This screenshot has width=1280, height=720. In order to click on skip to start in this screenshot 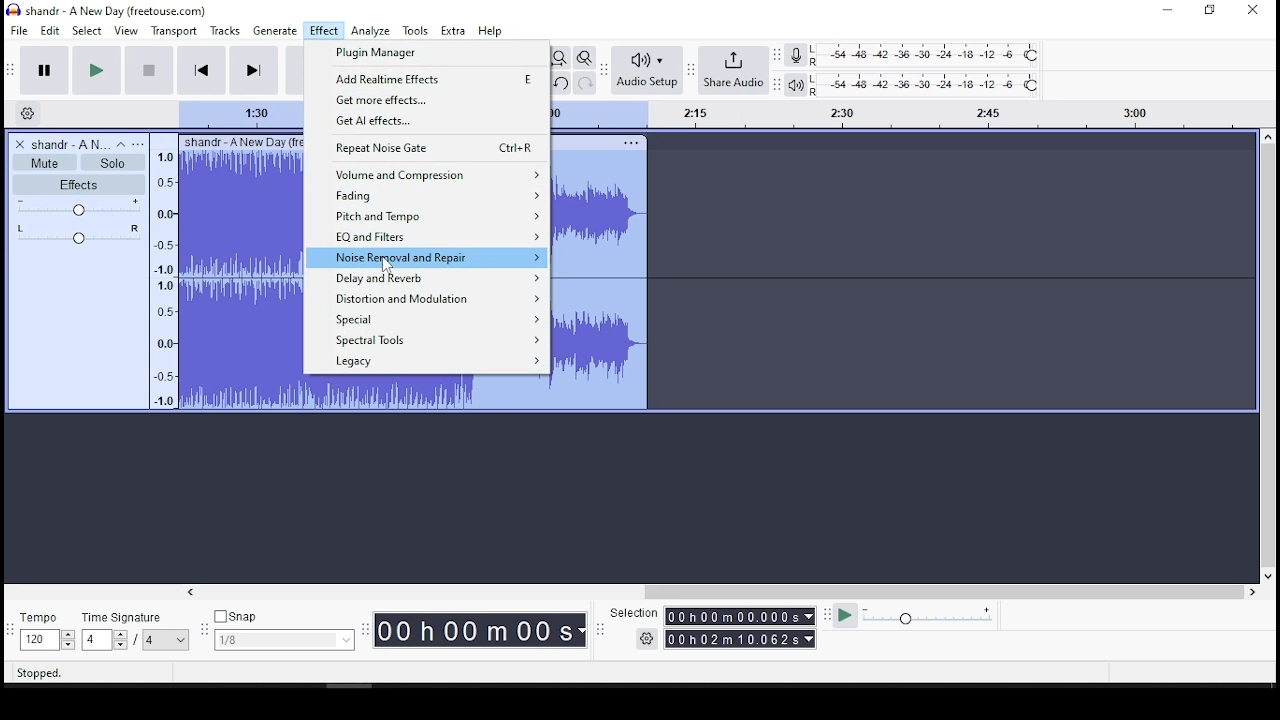, I will do `click(201, 70)`.